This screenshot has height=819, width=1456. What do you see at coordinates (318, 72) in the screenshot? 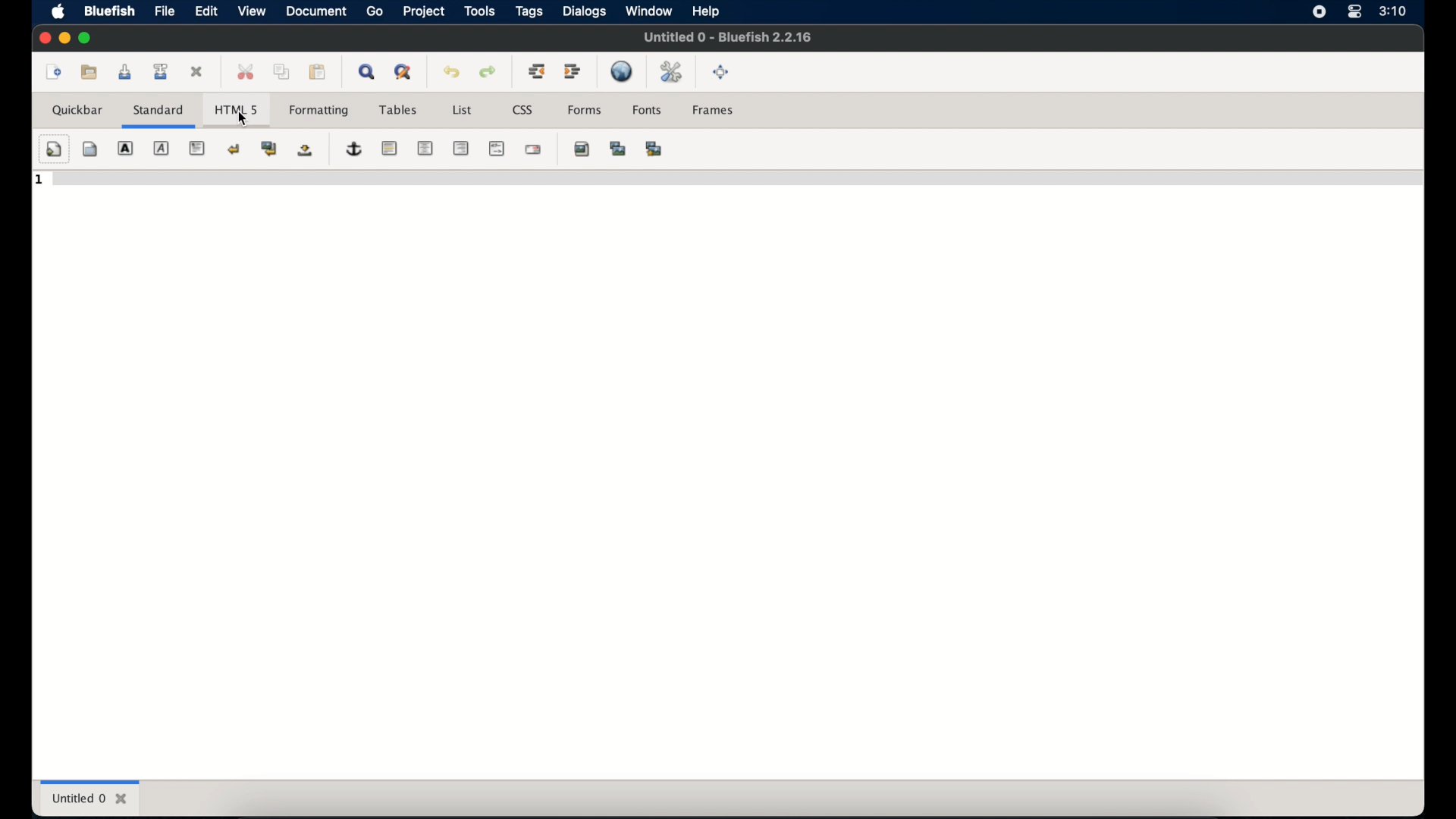
I see `paste` at bounding box center [318, 72].